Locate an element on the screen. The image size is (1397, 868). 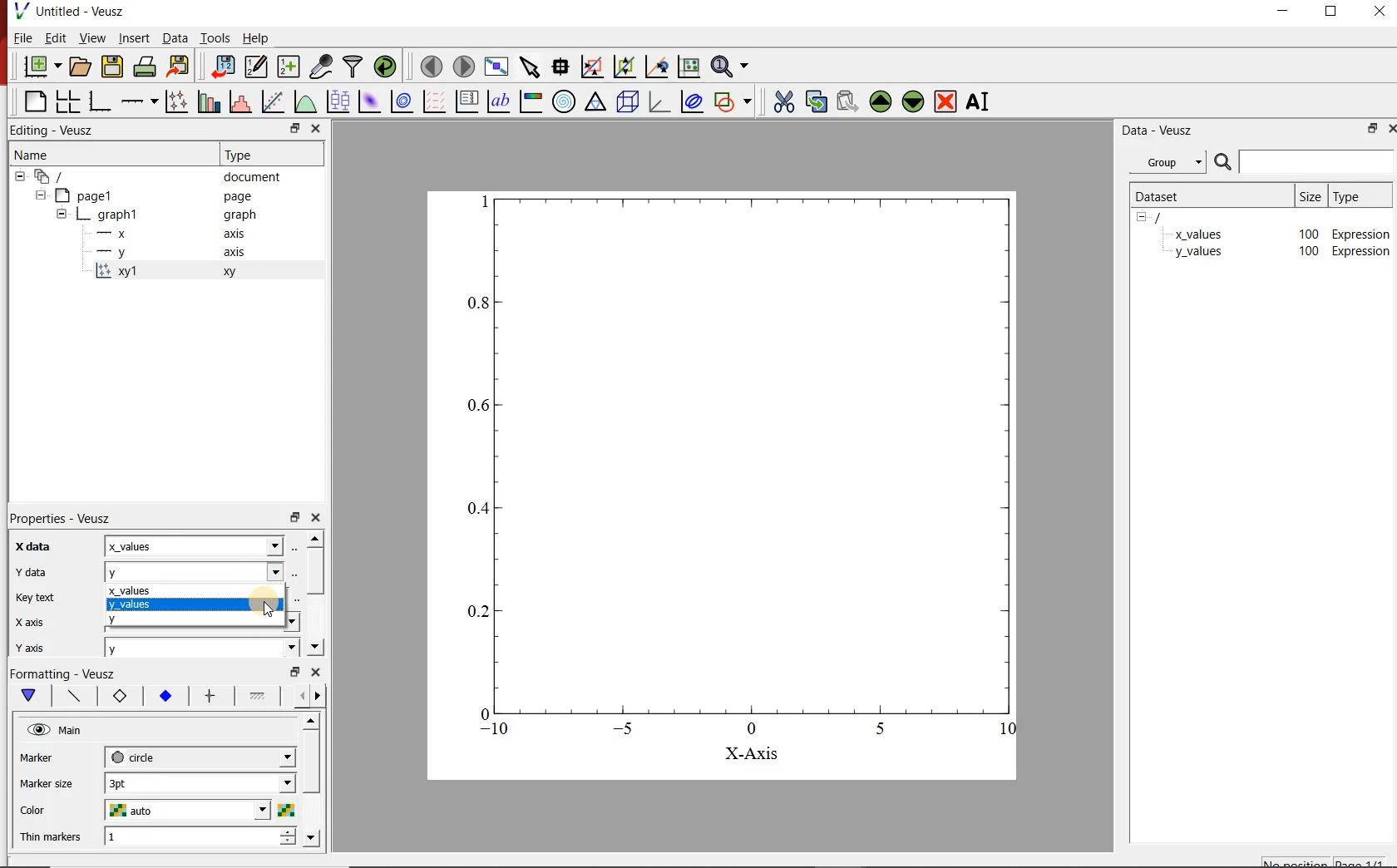
close is located at coordinates (317, 128).